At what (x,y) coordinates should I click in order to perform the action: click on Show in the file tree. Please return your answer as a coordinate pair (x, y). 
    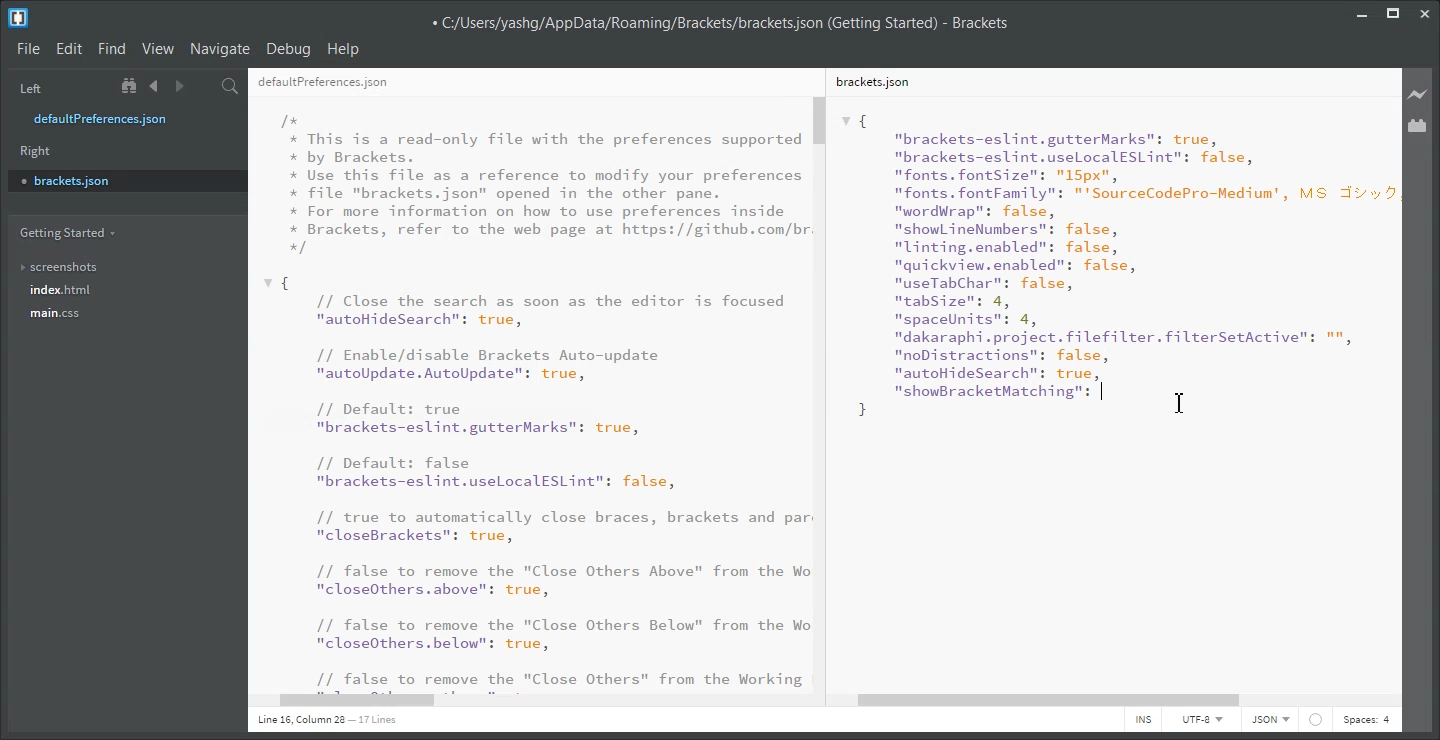
    Looking at the image, I should click on (131, 86).